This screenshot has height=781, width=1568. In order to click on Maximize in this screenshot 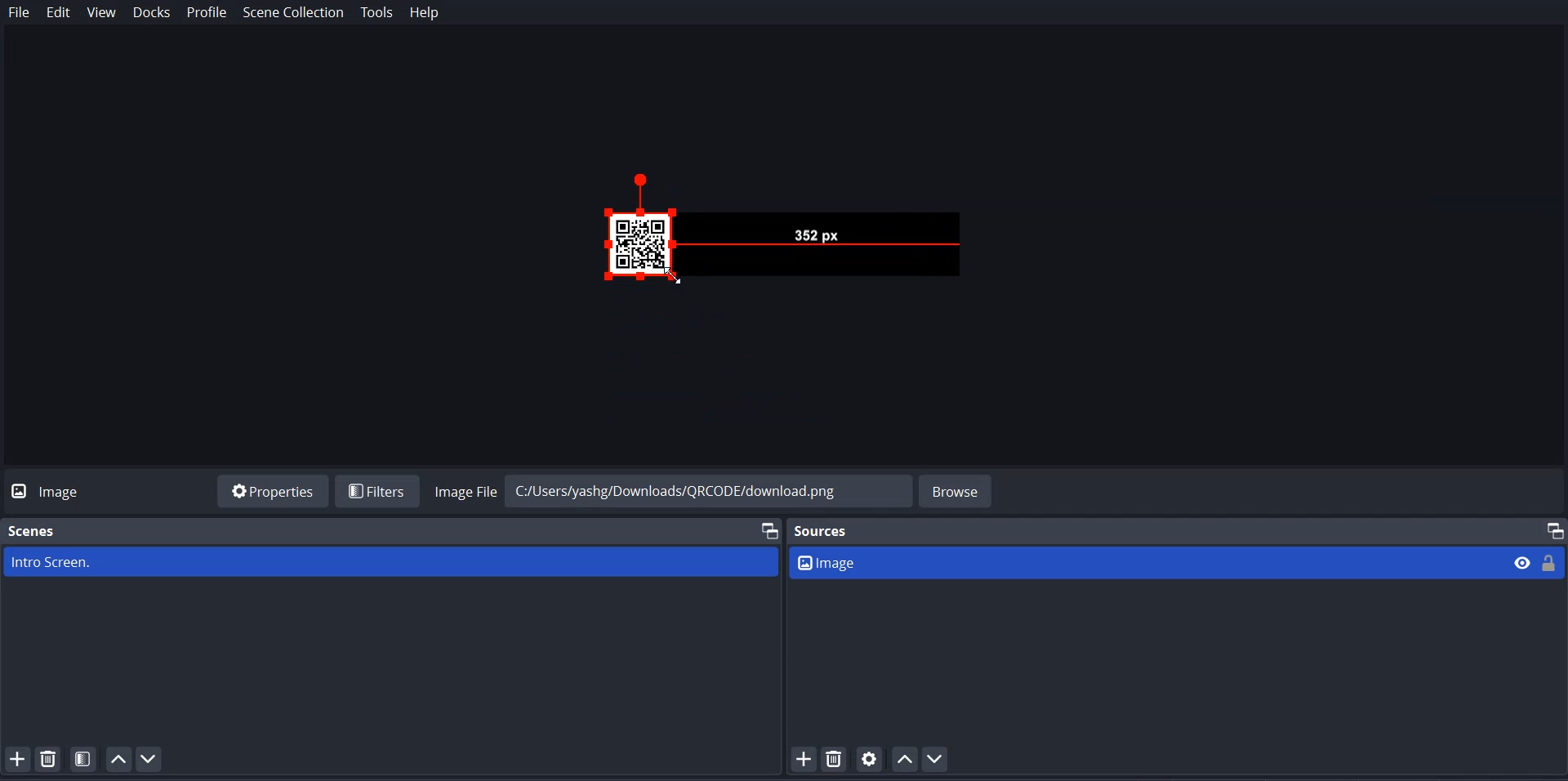, I will do `click(767, 529)`.